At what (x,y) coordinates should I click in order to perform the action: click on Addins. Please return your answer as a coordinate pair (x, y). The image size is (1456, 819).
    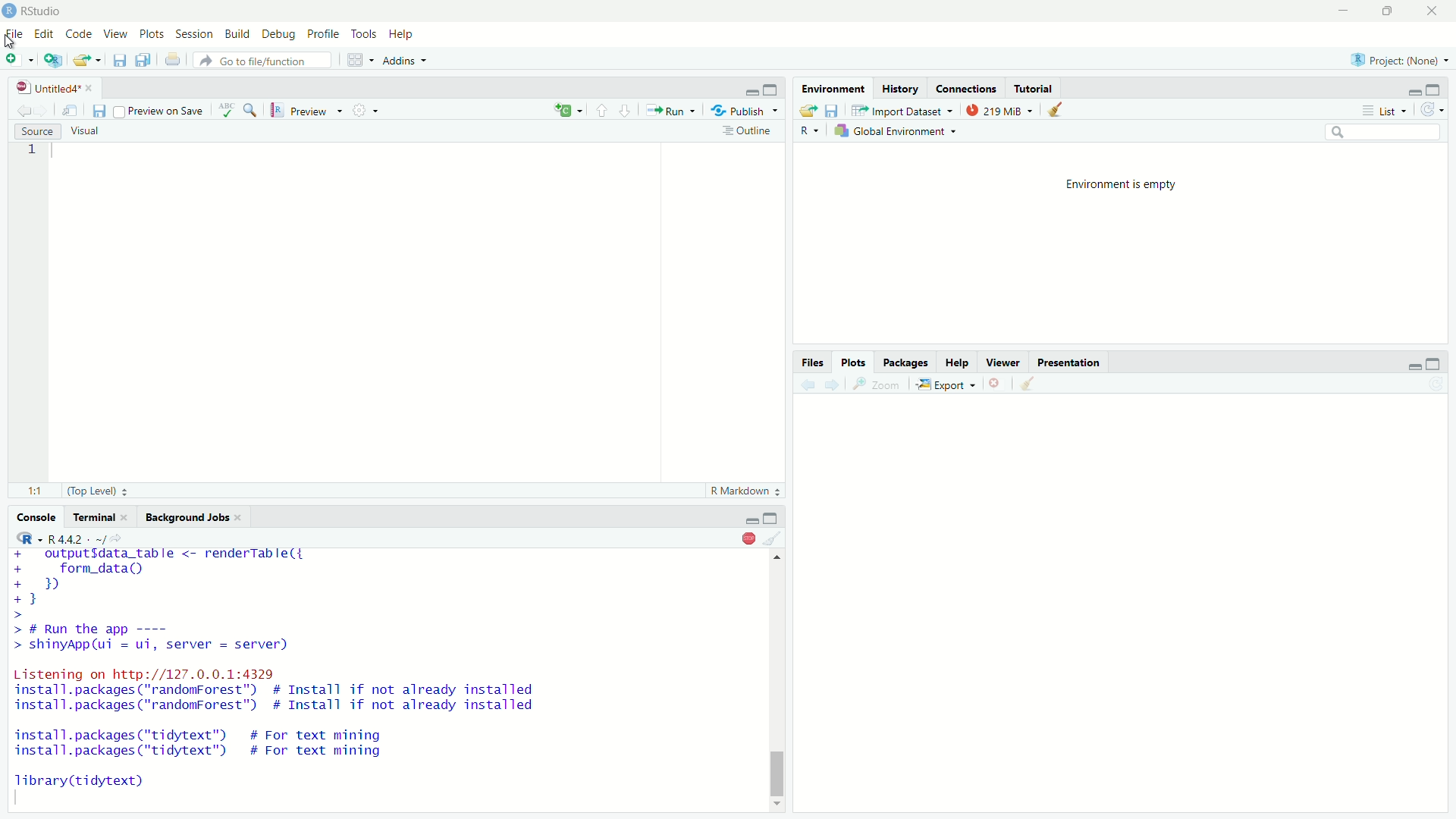
    Looking at the image, I should click on (405, 60).